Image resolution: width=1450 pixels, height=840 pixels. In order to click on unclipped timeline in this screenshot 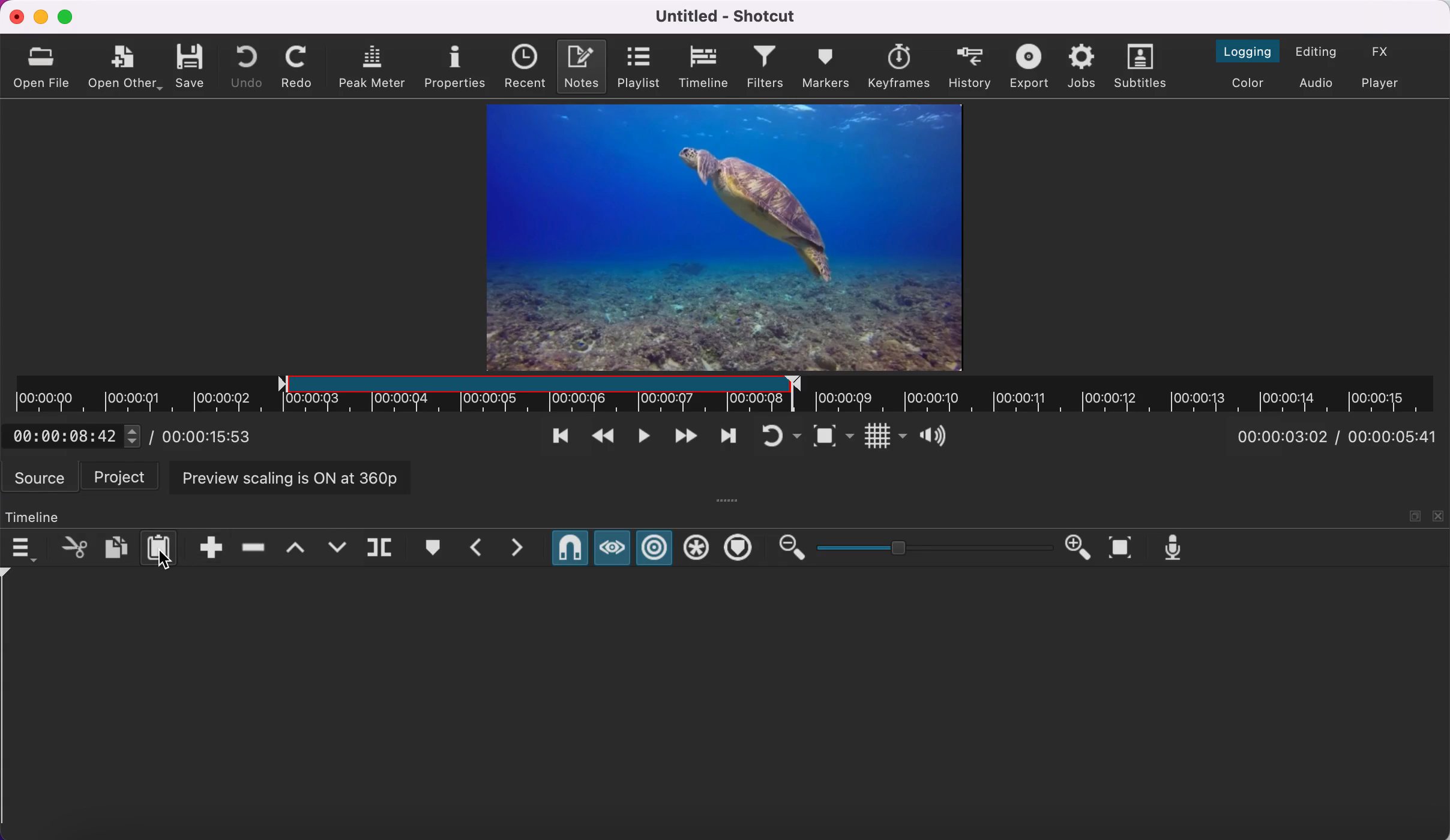, I will do `click(1122, 394)`.